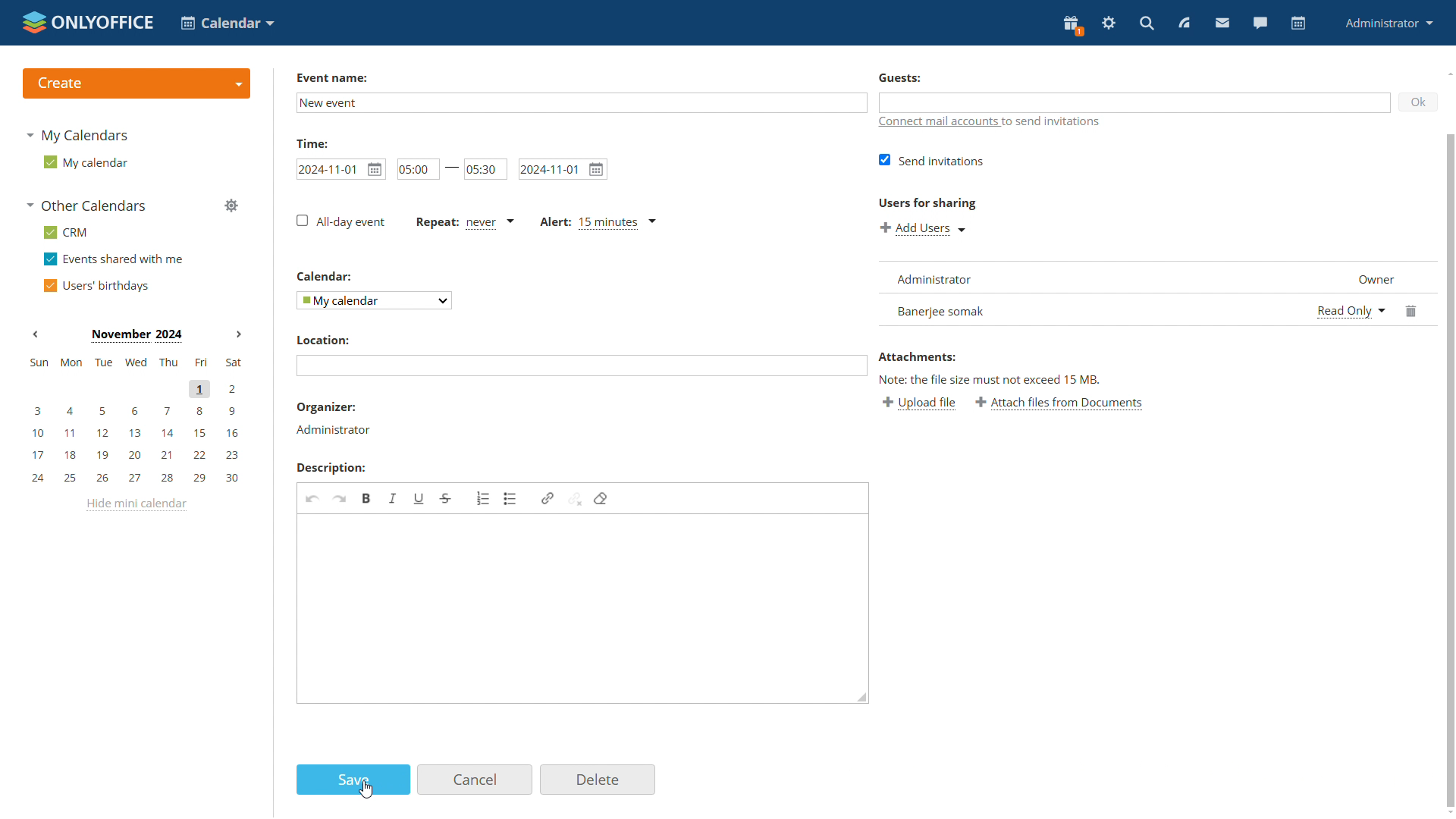 This screenshot has width=1456, height=819. What do you see at coordinates (1062, 406) in the screenshot?
I see `Attach files from documents` at bounding box center [1062, 406].